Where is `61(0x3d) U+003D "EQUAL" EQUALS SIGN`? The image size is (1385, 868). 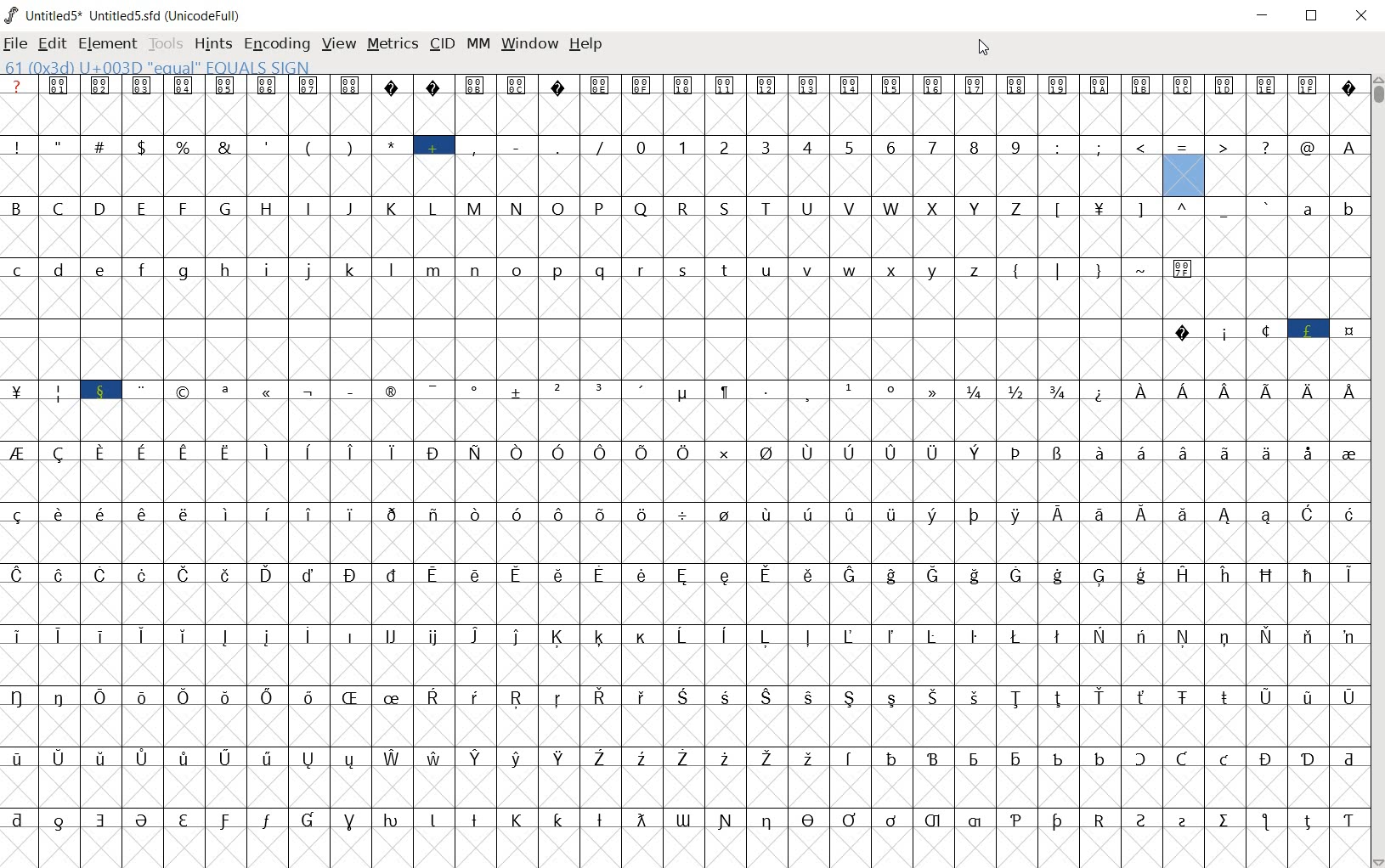
61(0x3d) U+003D "EQUAL" EQUALS SIGN is located at coordinates (1184, 169).